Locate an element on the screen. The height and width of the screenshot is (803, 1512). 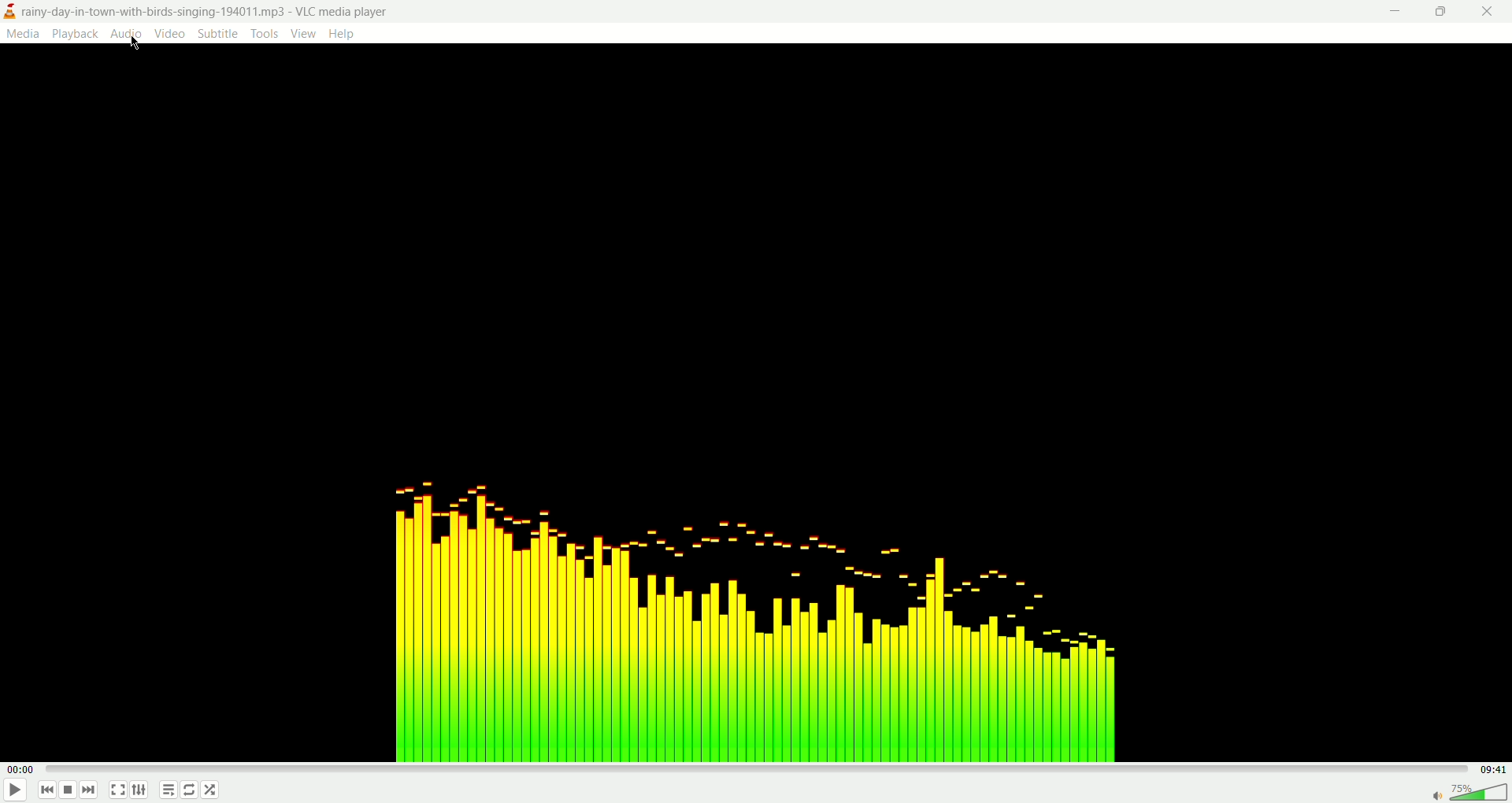
volume bar is located at coordinates (1470, 791).